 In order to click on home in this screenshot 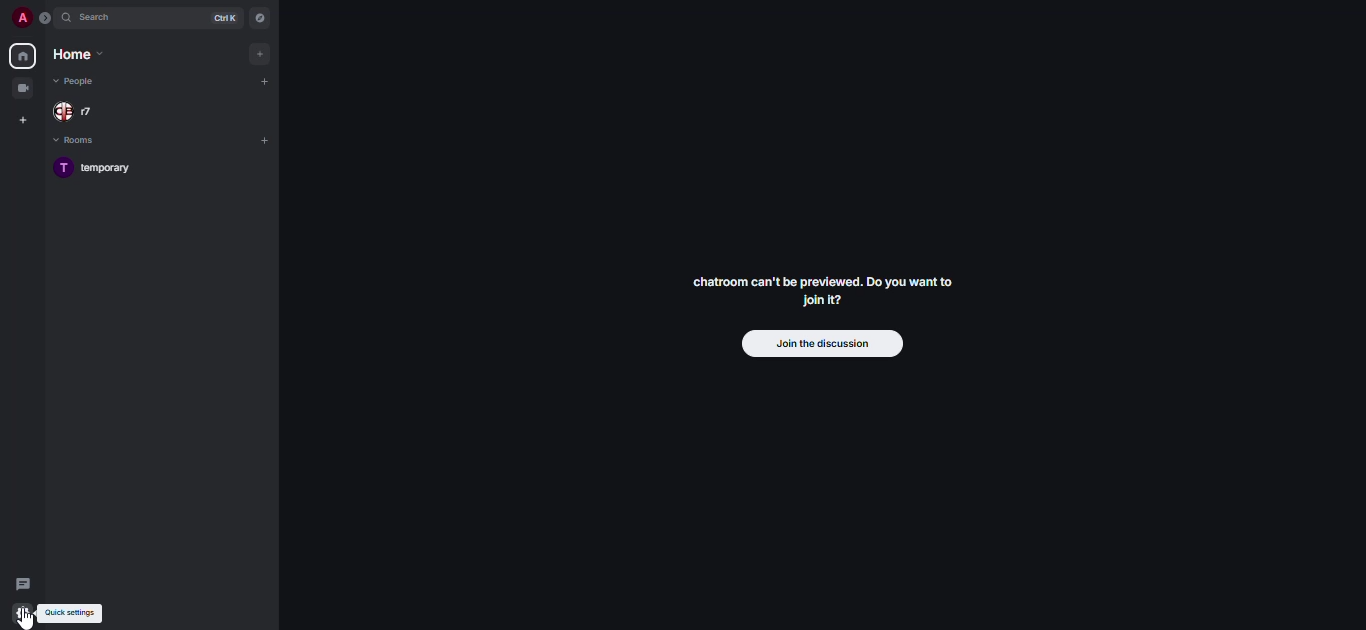, I will do `click(21, 56)`.